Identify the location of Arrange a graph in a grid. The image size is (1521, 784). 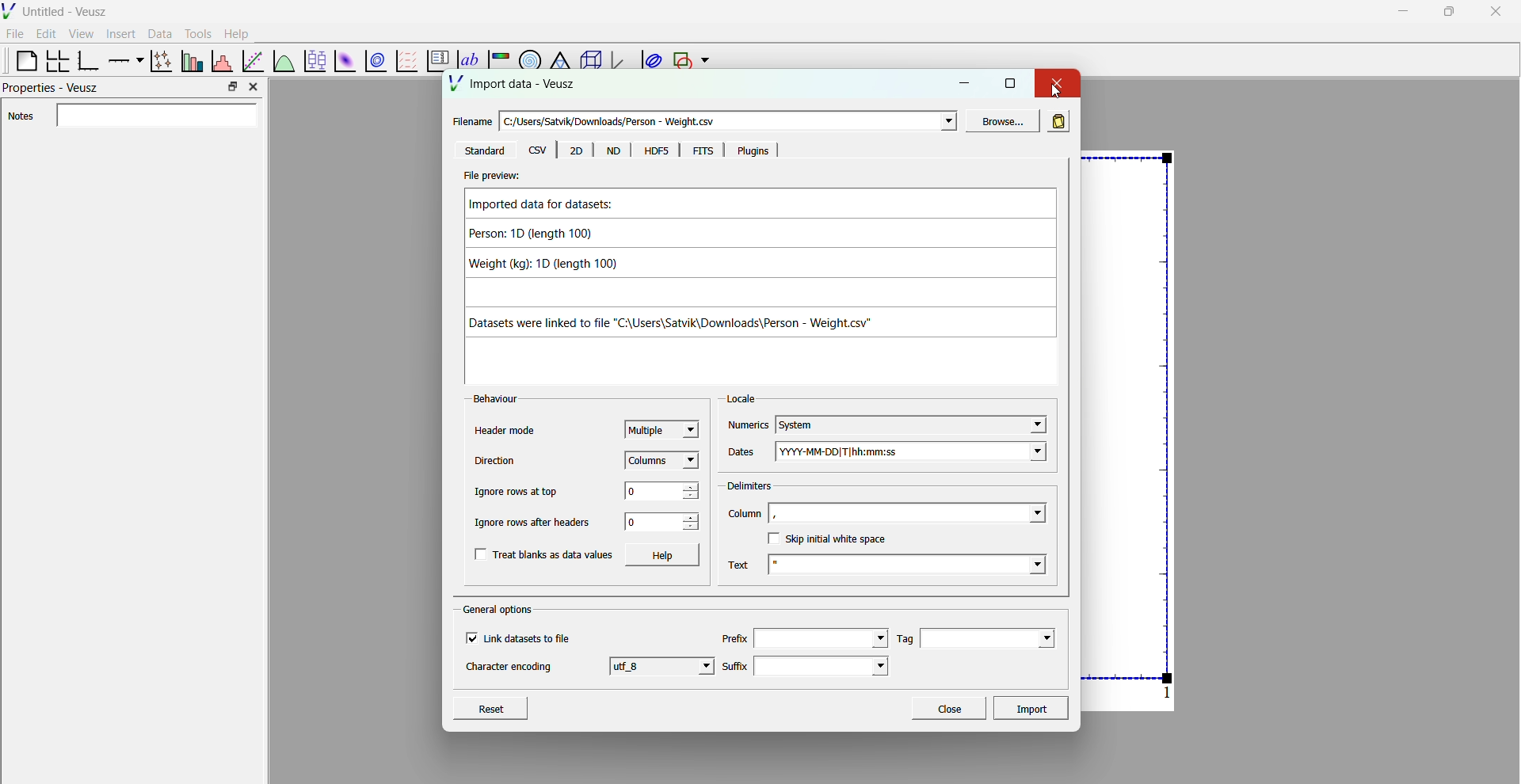
(56, 62).